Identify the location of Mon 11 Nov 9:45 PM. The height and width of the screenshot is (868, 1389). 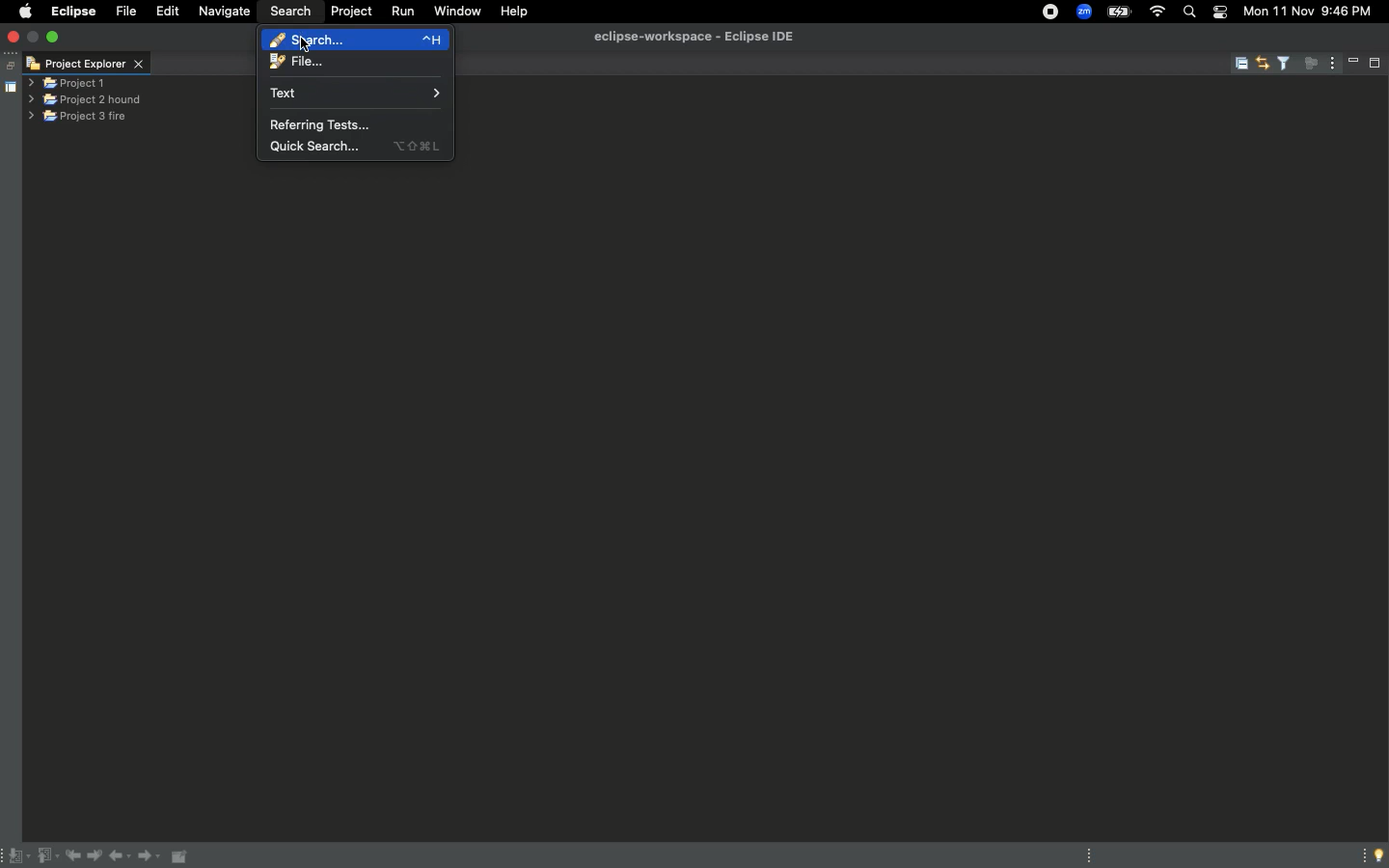
(1314, 11).